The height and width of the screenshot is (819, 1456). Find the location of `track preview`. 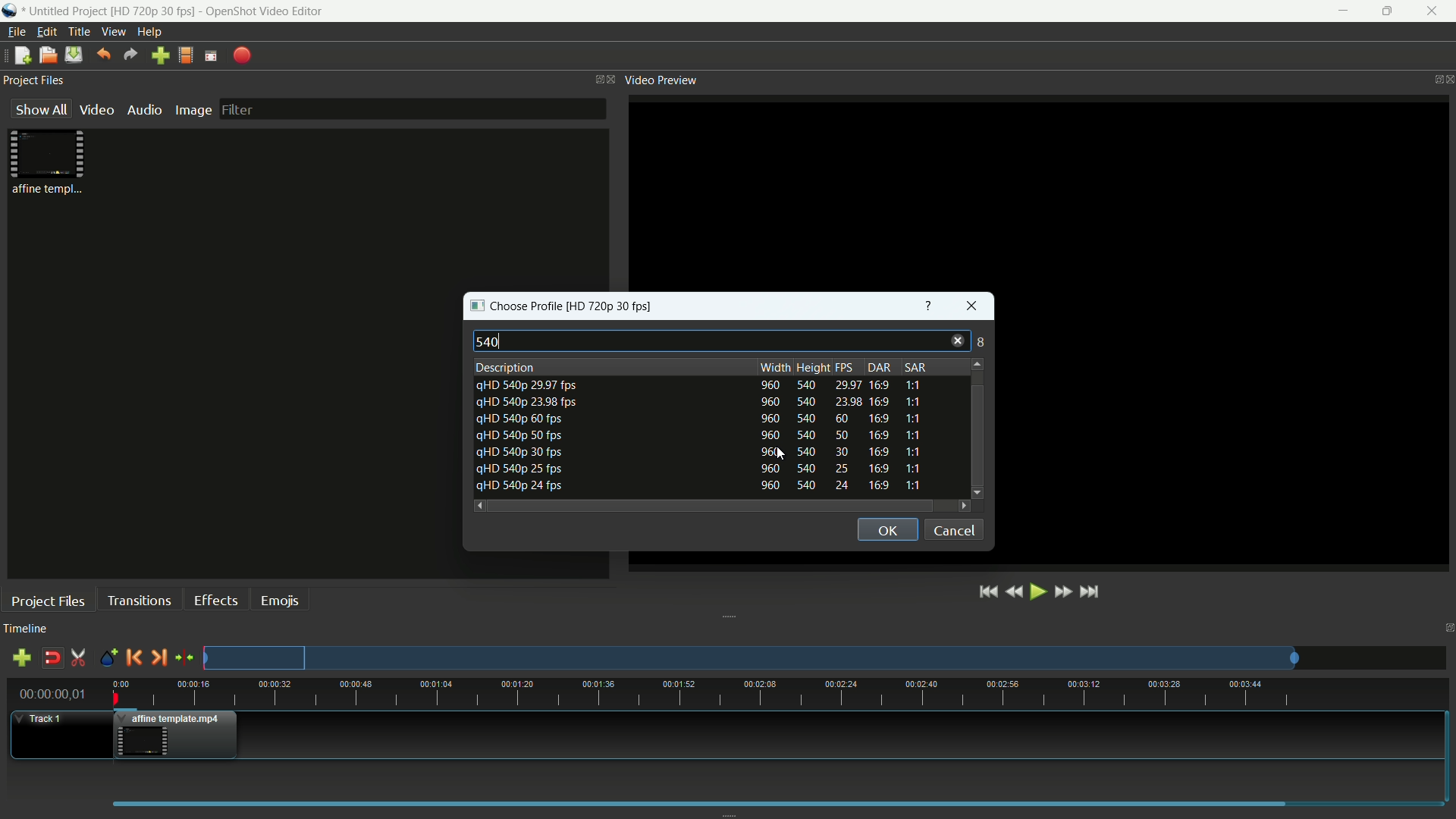

track preview is located at coordinates (752, 657).